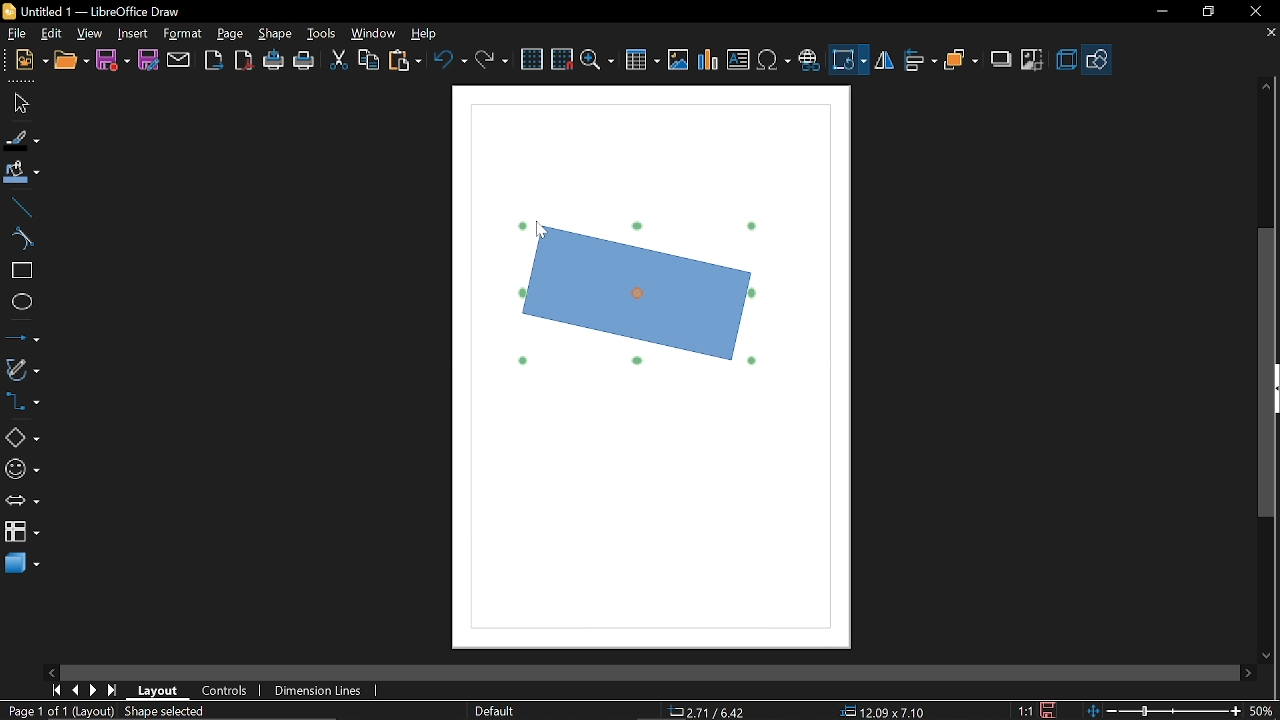  Describe the element at coordinates (848, 60) in the screenshot. I see `Transformaion` at that location.